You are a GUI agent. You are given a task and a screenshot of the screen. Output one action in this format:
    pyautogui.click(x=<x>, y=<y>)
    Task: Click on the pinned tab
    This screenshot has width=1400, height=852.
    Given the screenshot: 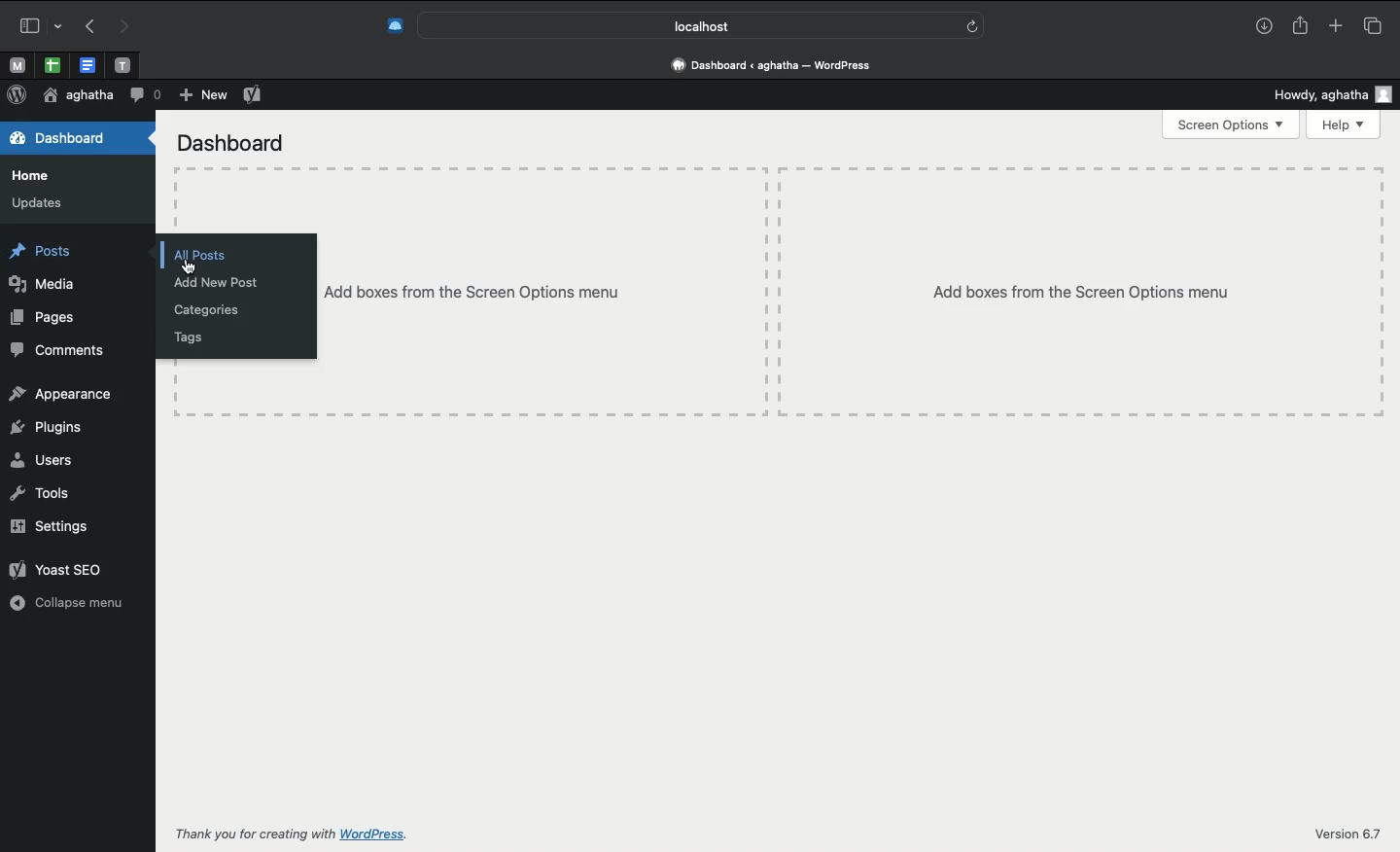 What is the action you would take?
    pyautogui.click(x=124, y=62)
    